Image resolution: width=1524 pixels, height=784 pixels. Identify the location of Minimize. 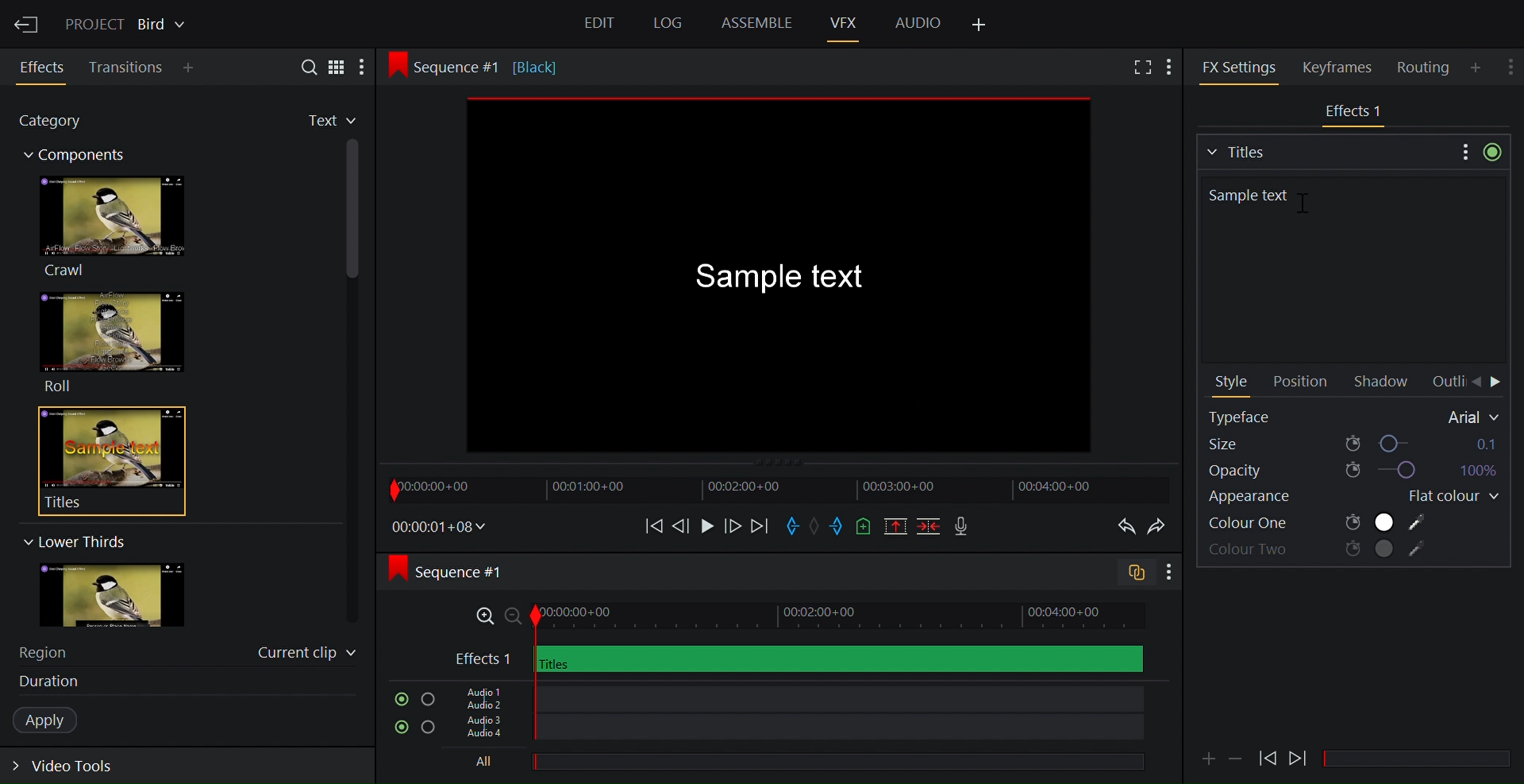
(1237, 757).